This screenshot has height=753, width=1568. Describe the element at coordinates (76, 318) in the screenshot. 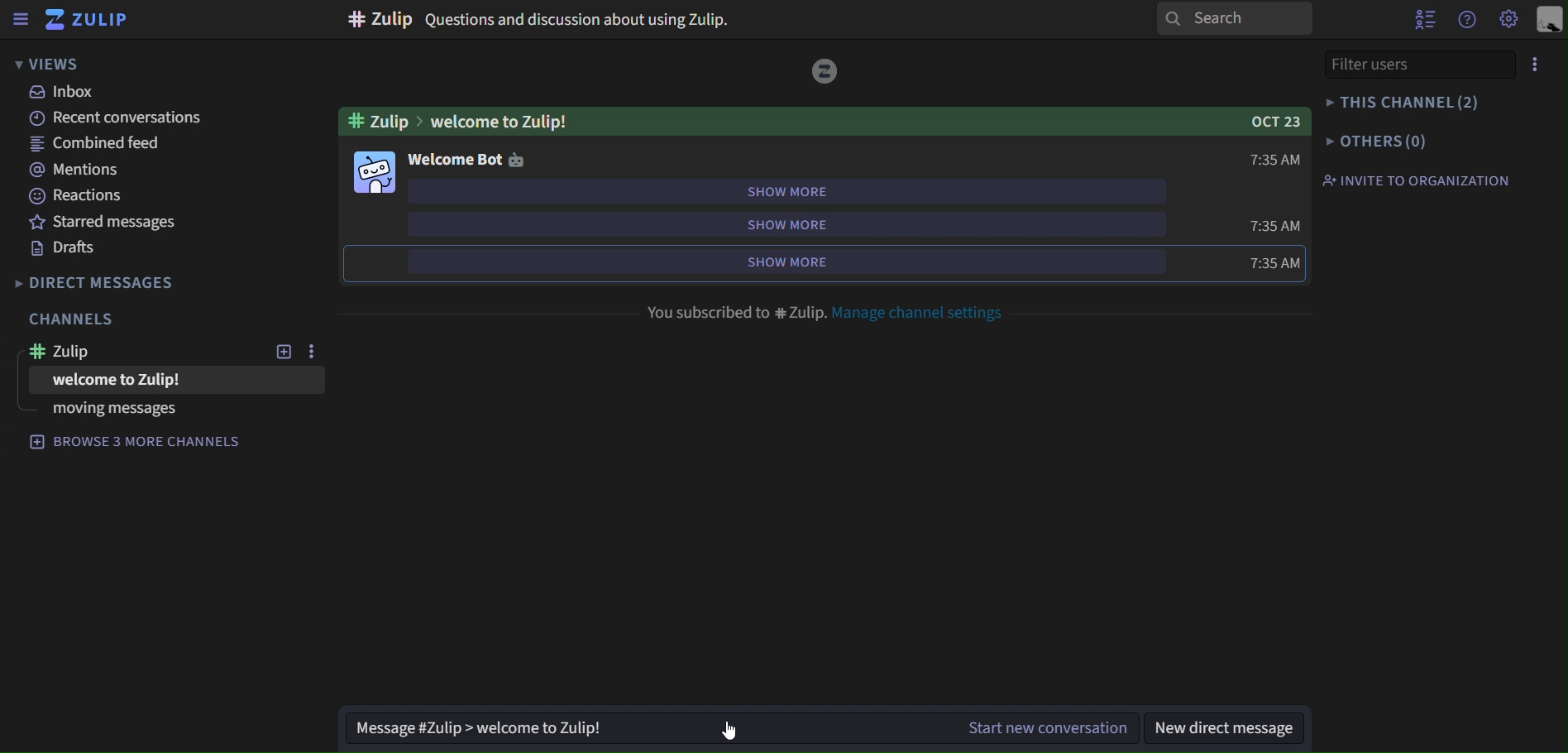

I see `channels` at that location.